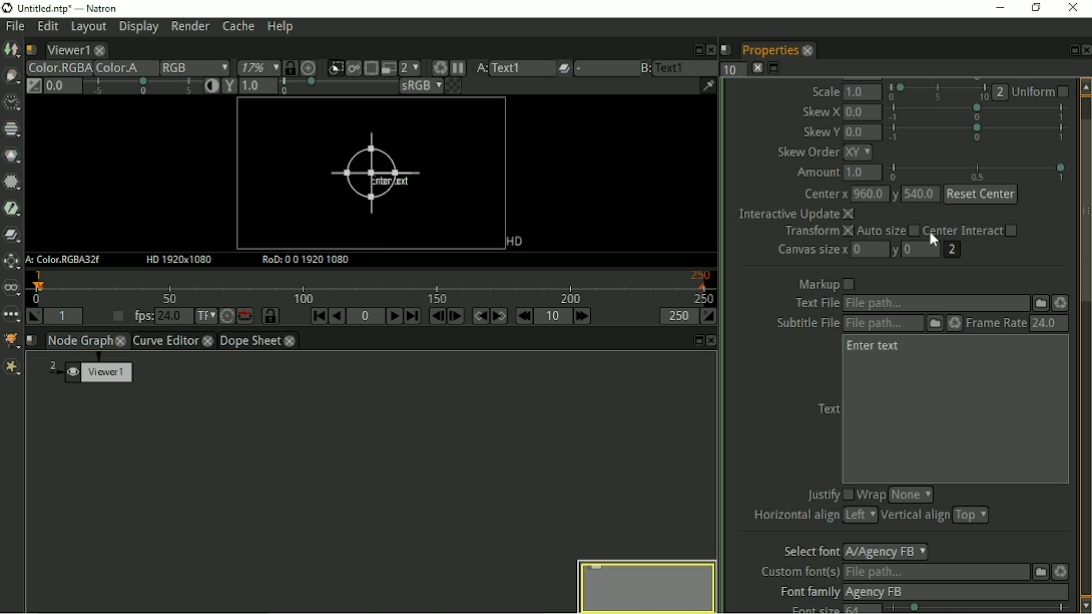 The width and height of the screenshot is (1092, 614). I want to click on Vertical align, so click(916, 517).